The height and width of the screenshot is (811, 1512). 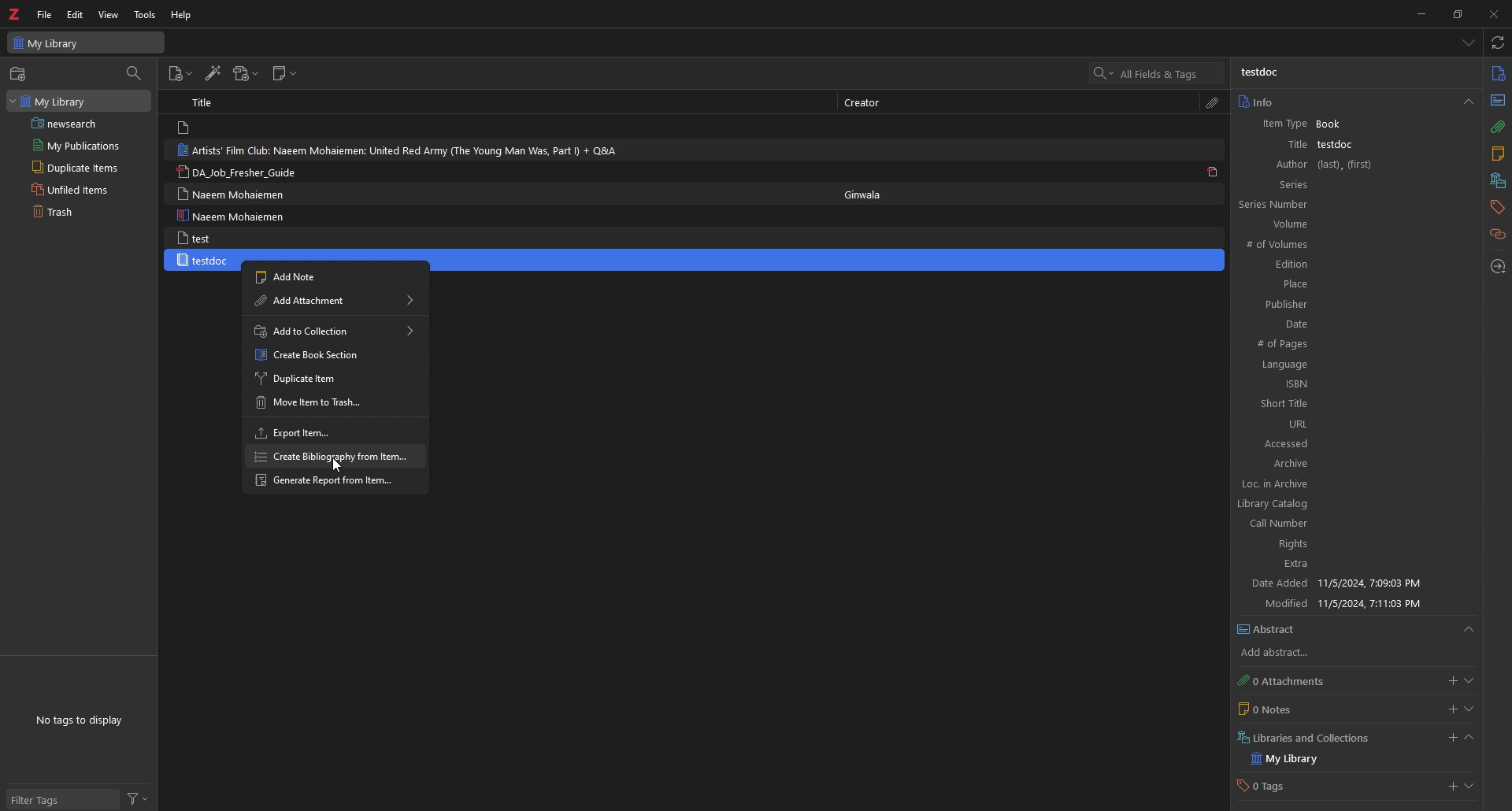 I want to click on Extra, so click(x=1346, y=565).